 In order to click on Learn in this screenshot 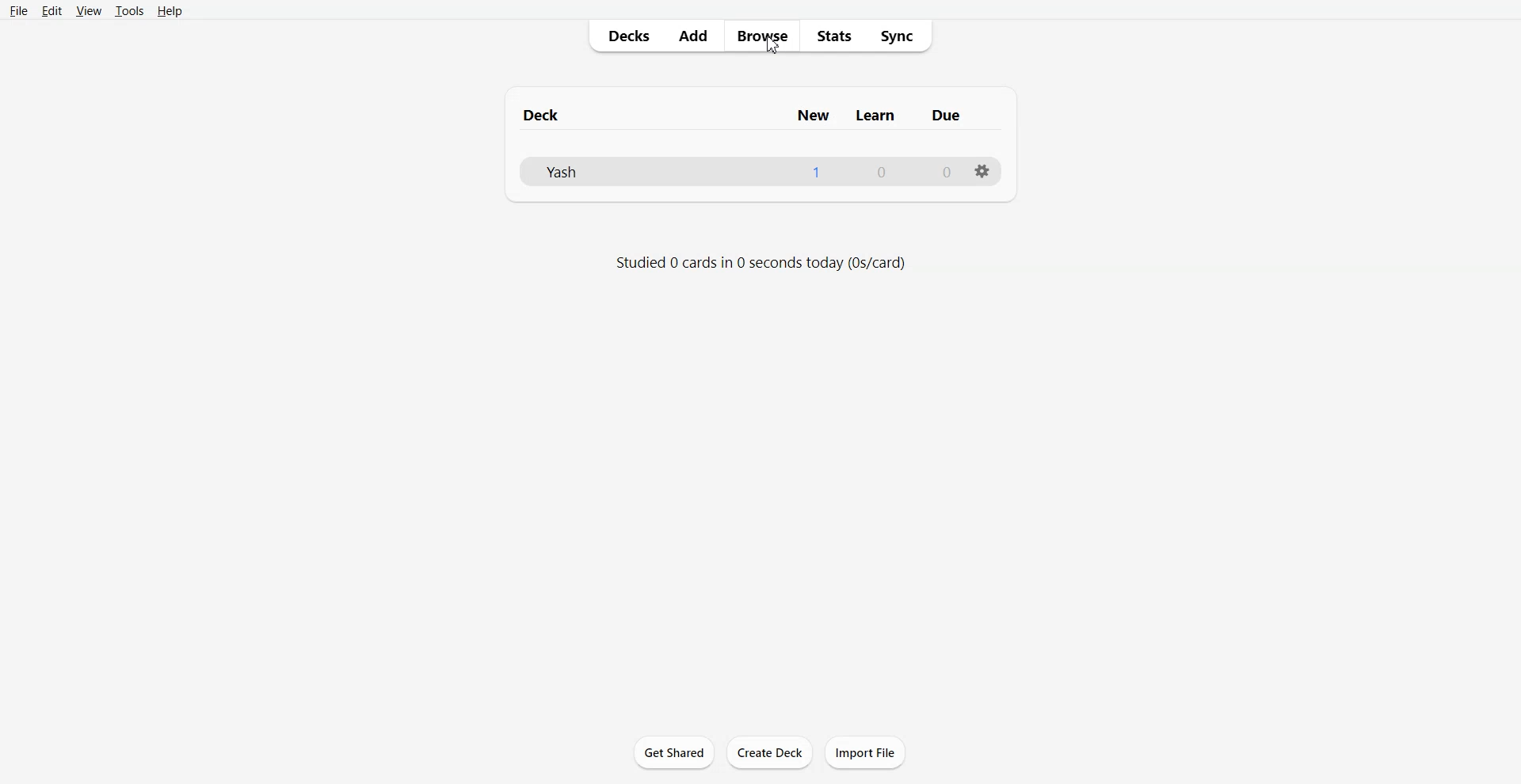, I will do `click(879, 116)`.